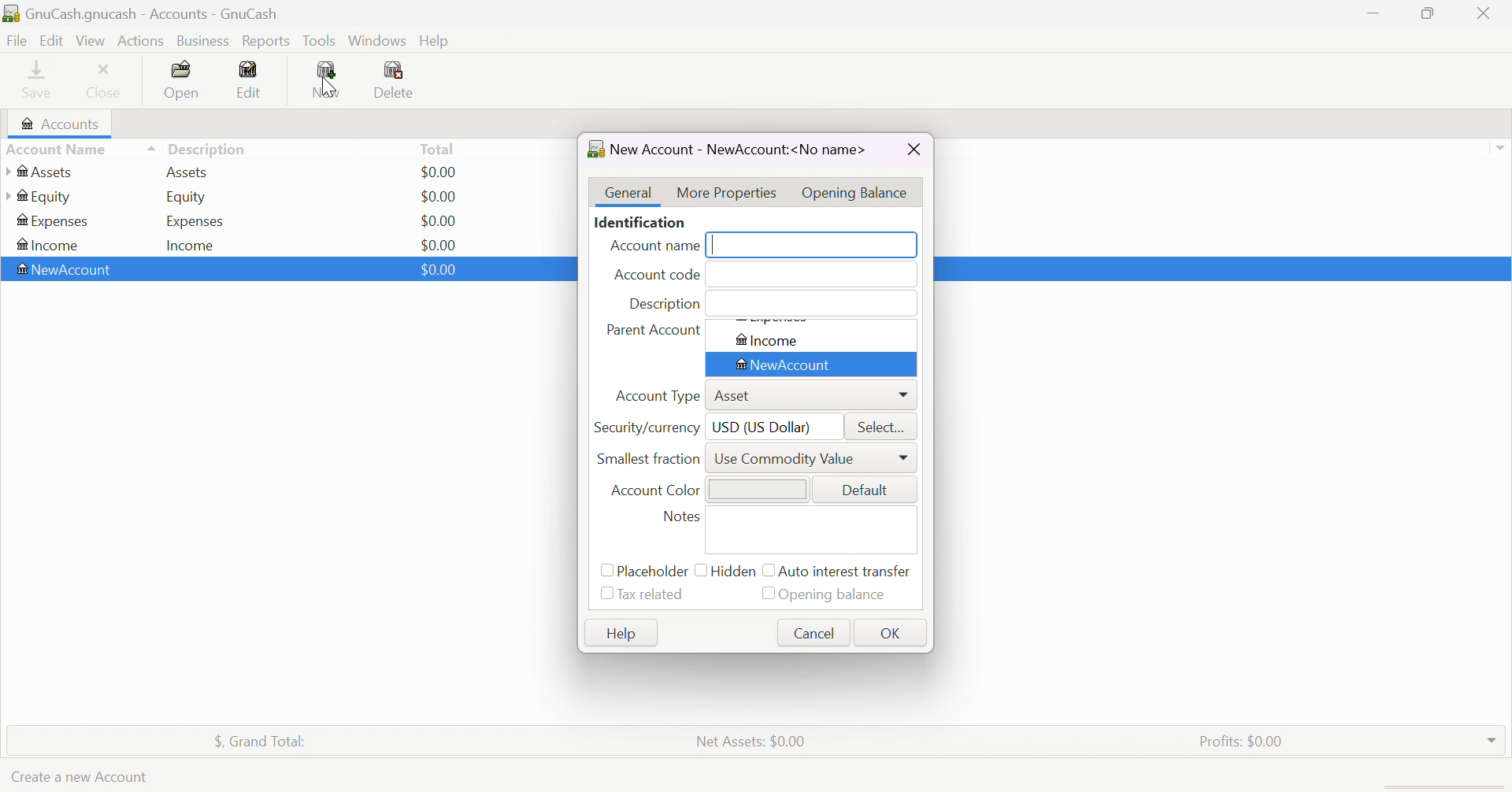  What do you see at coordinates (626, 191) in the screenshot?
I see `General` at bounding box center [626, 191].